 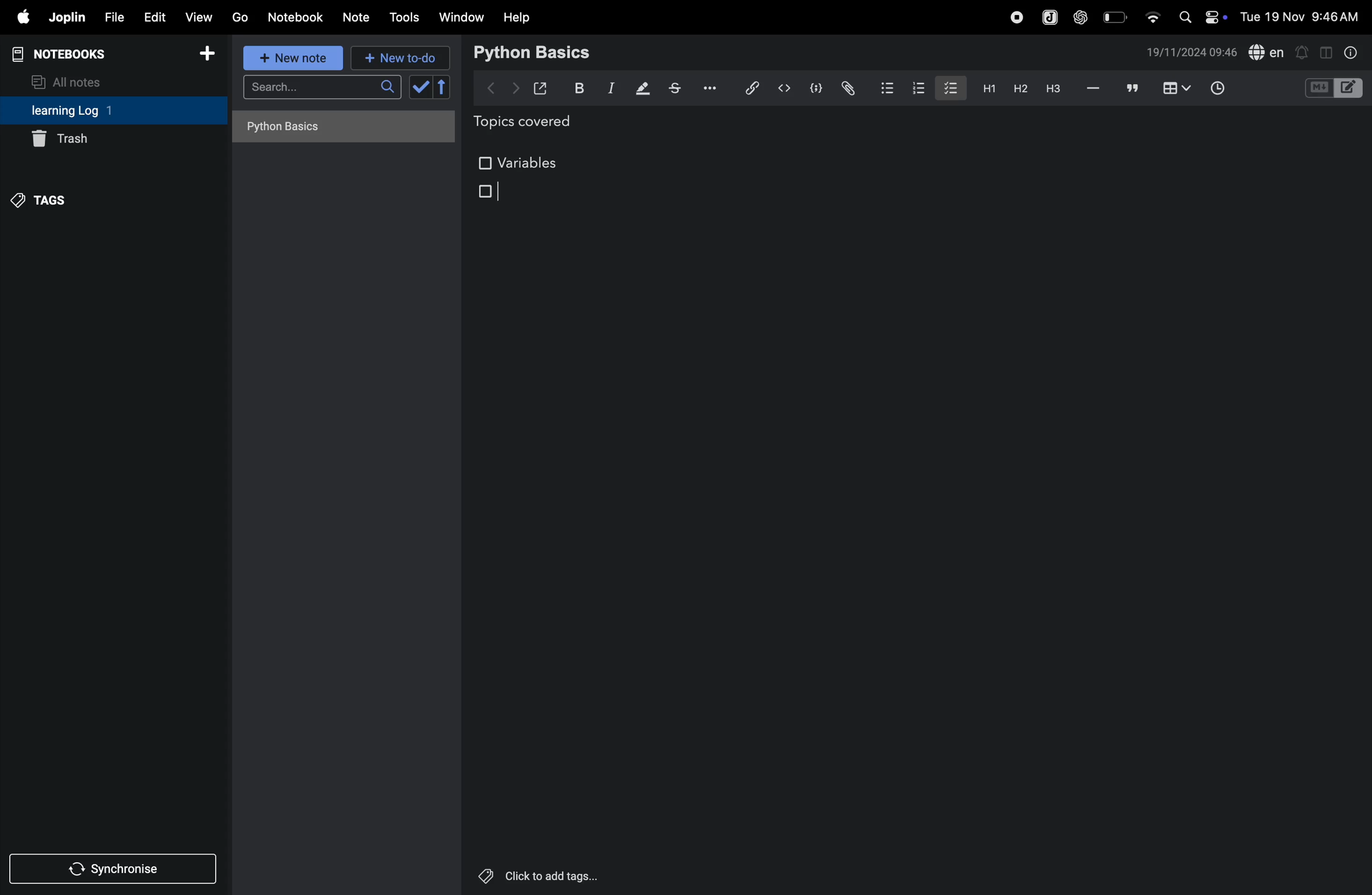 What do you see at coordinates (1048, 17) in the screenshot?
I see `joplin` at bounding box center [1048, 17].